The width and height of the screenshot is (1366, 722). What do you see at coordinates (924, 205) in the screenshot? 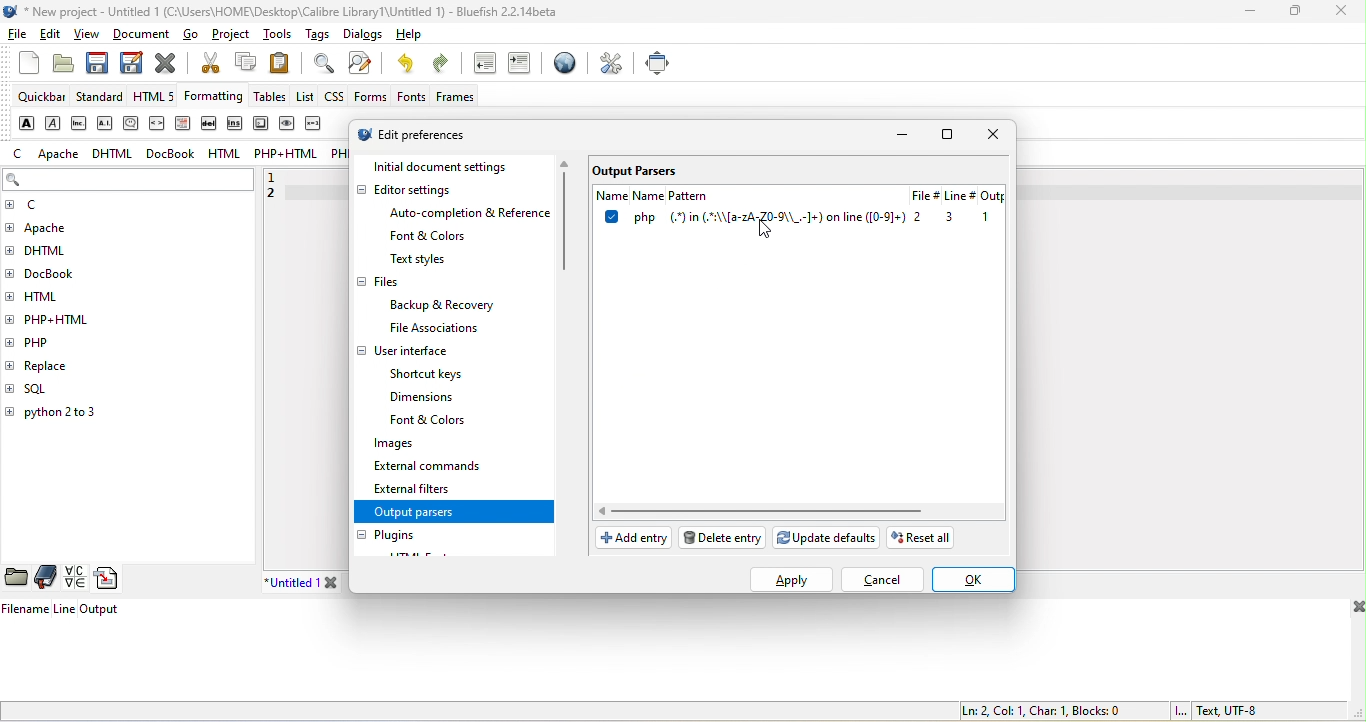
I see `file` at bounding box center [924, 205].